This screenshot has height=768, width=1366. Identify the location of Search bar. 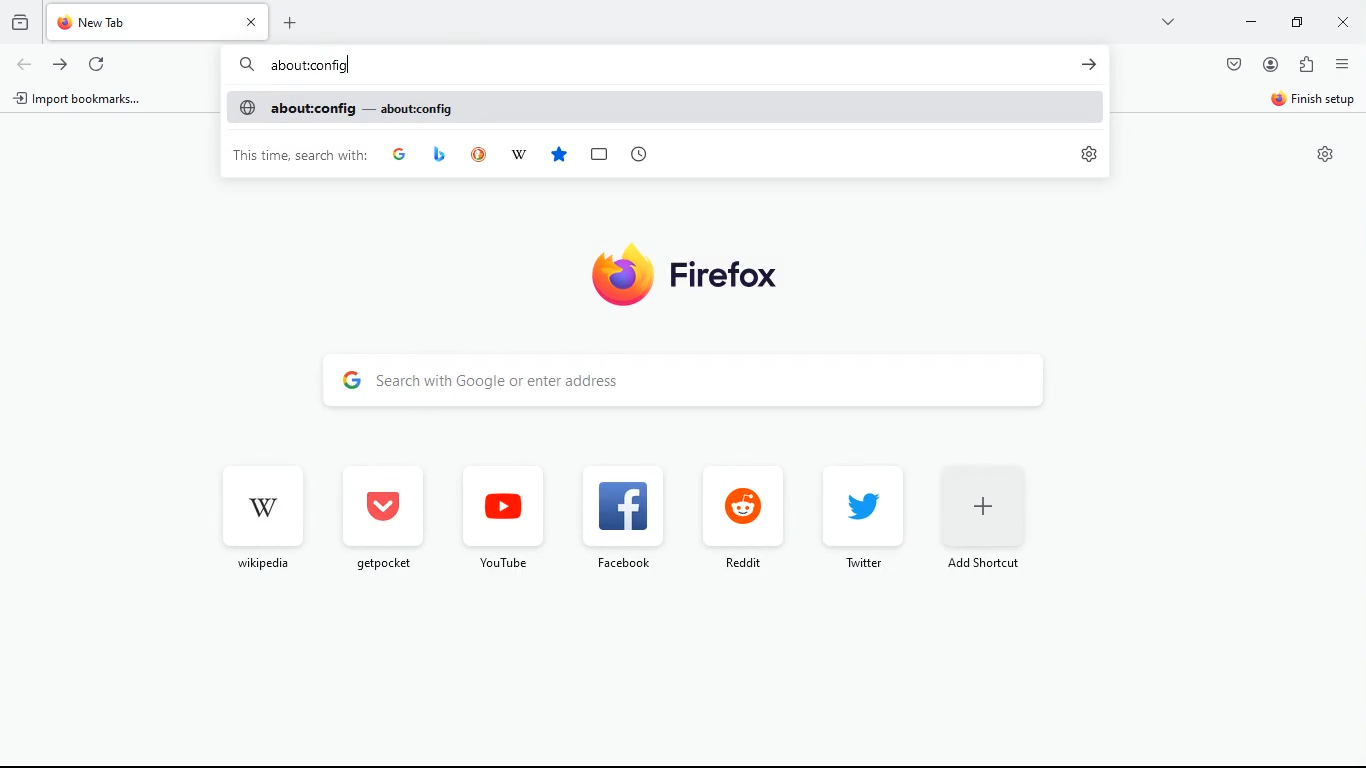
(658, 65).